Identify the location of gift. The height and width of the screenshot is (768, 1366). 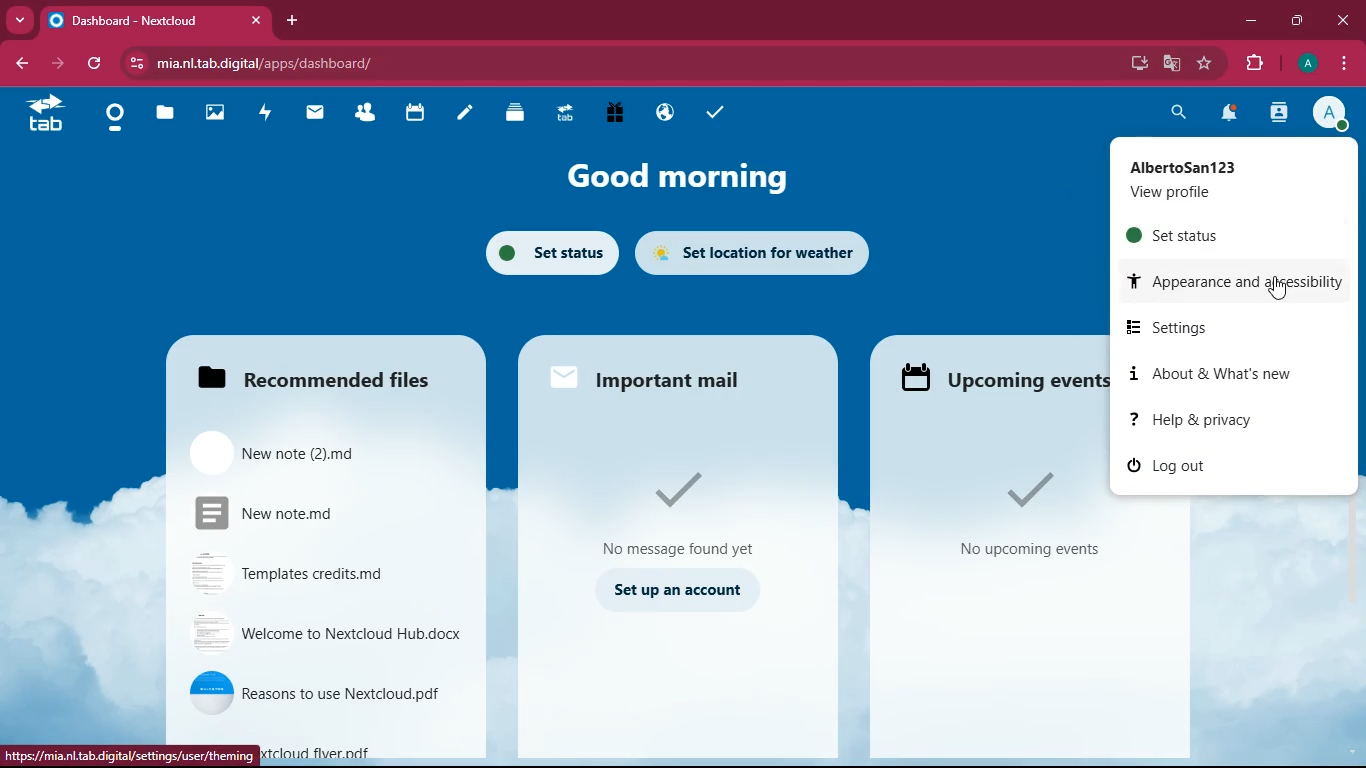
(616, 112).